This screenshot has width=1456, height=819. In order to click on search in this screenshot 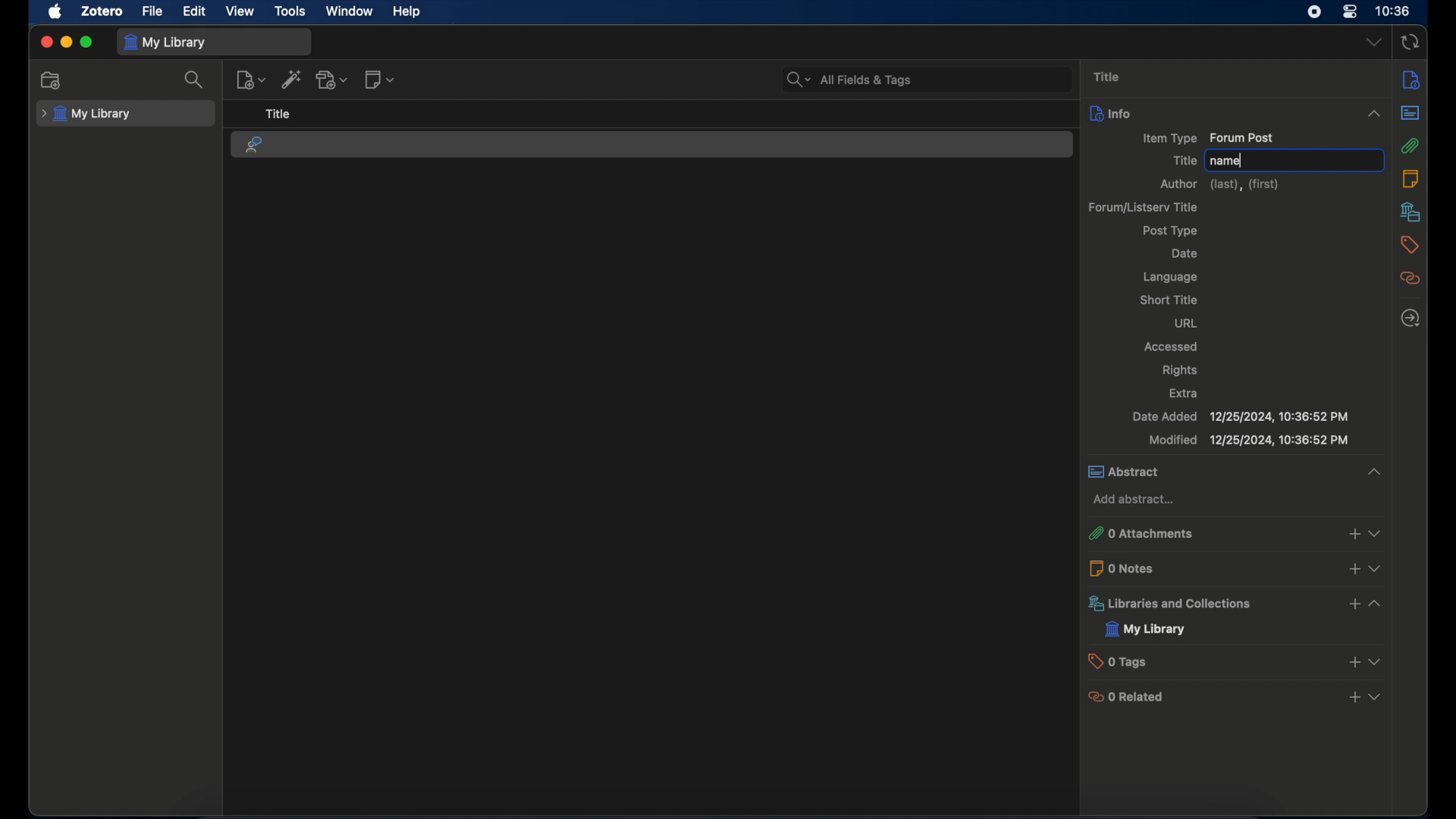, I will do `click(194, 81)`.